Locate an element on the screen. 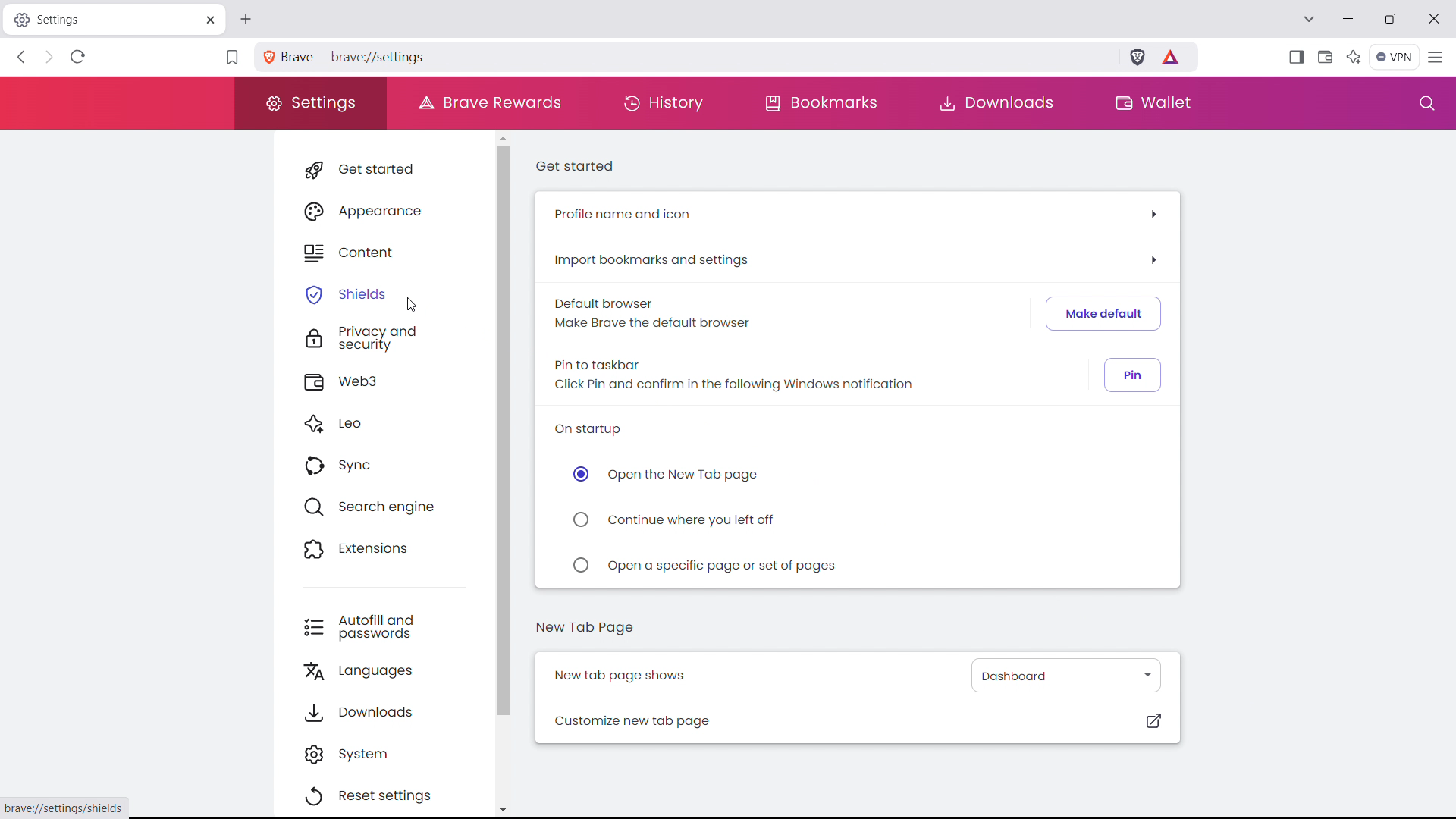 The image size is (1456, 819). make a default is located at coordinates (1104, 313).